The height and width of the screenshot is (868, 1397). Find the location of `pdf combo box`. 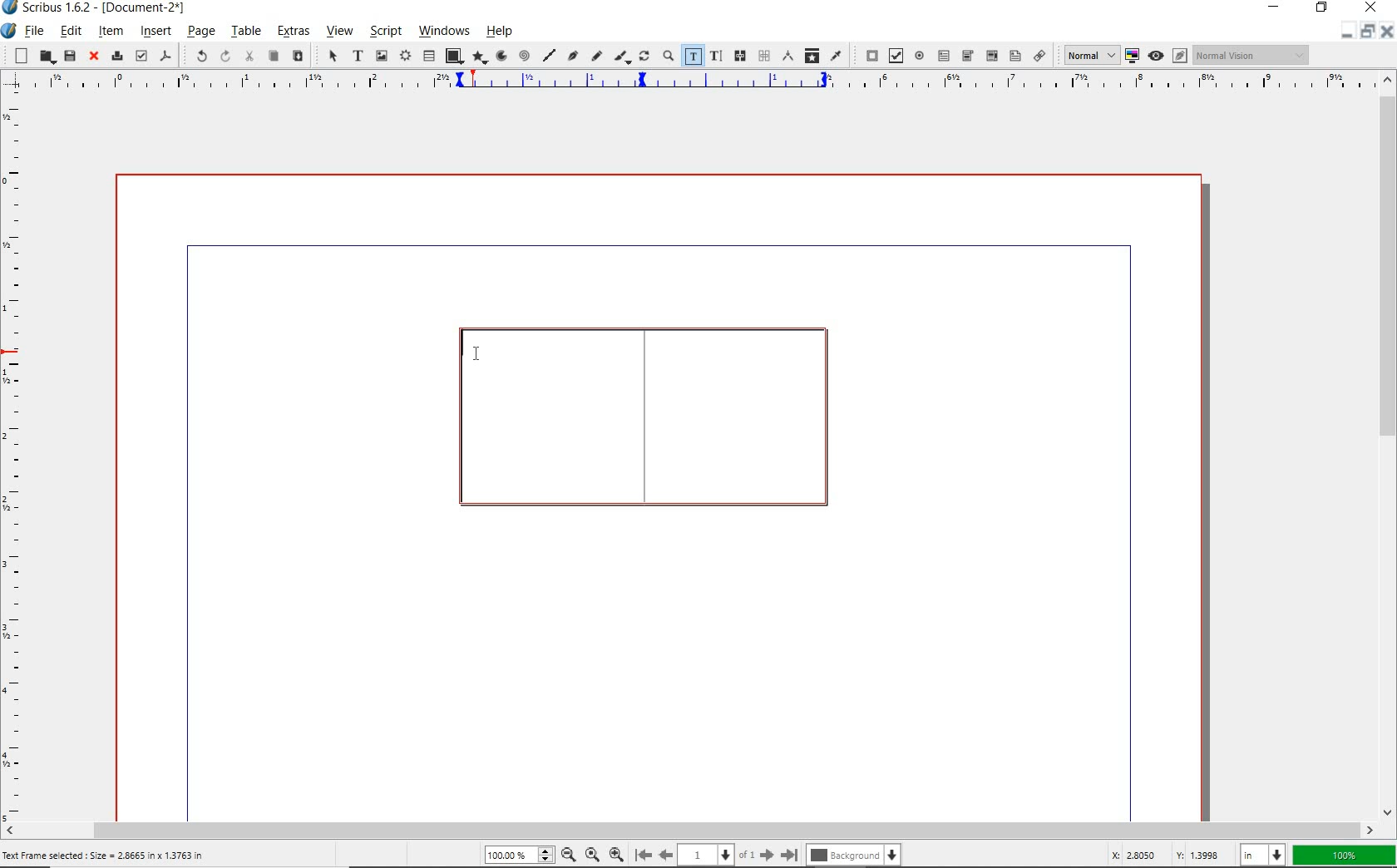

pdf combo box is located at coordinates (990, 55).